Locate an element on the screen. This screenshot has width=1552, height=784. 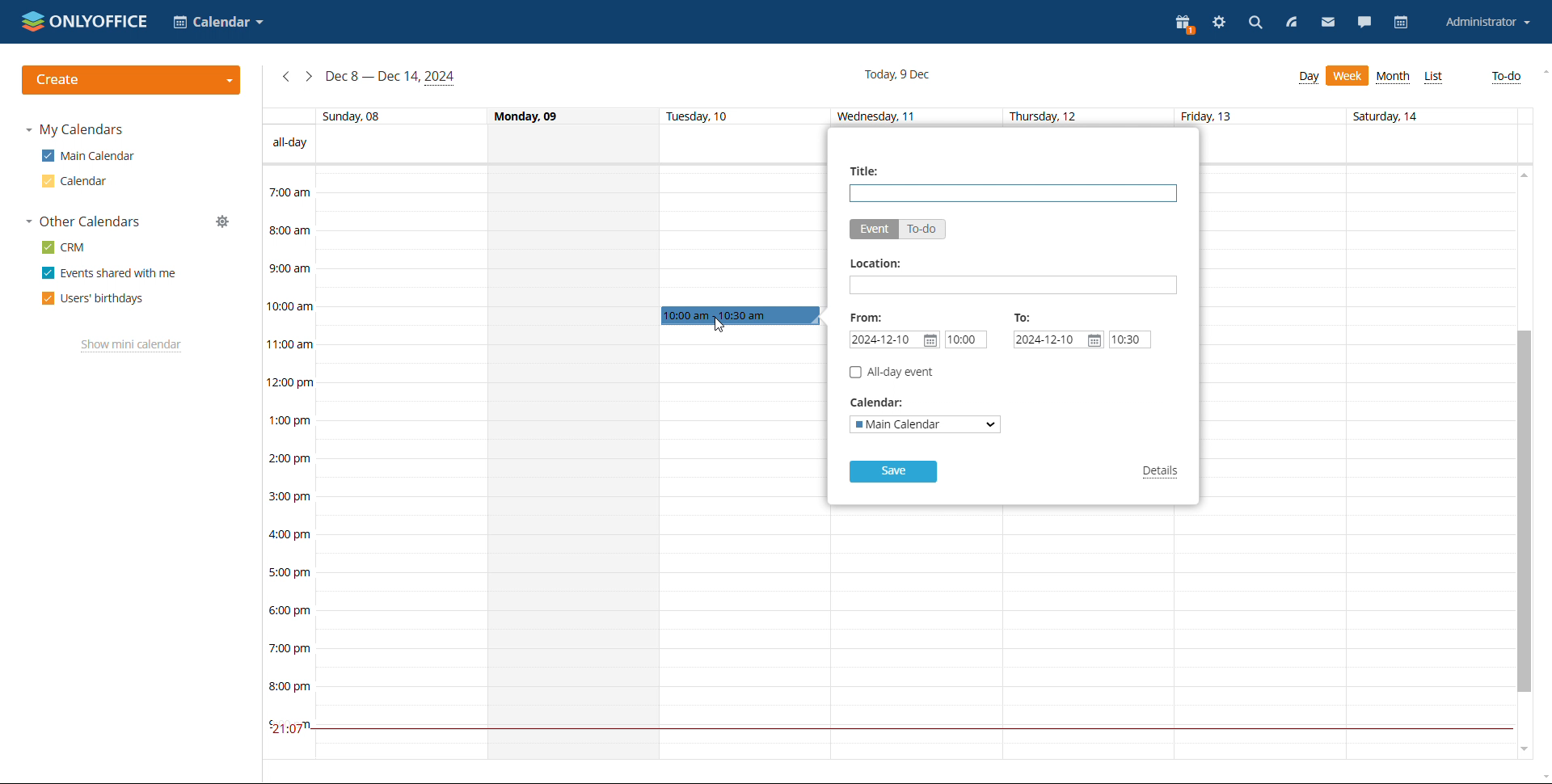
start date is located at coordinates (894, 339).